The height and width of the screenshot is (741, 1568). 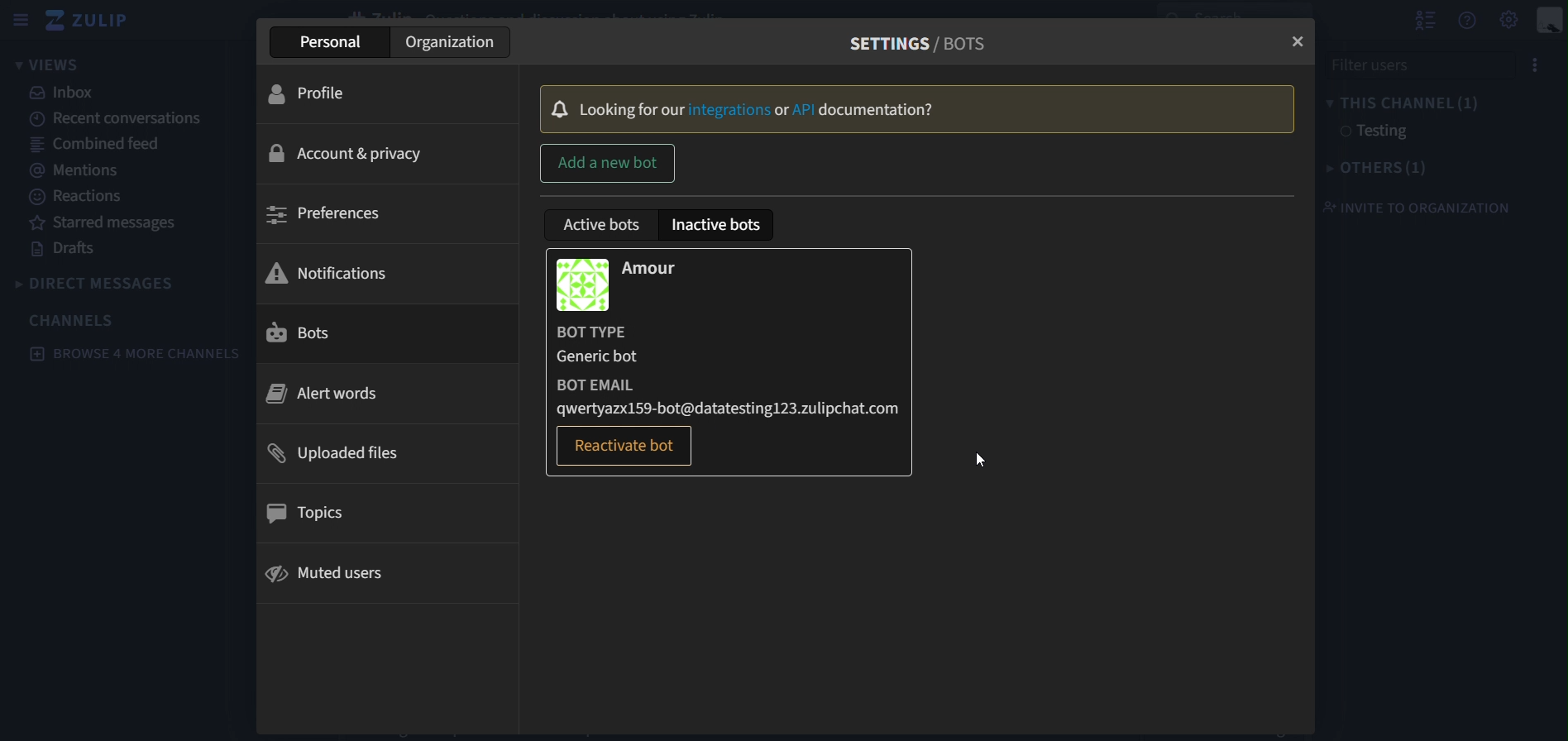 What do you see at coordinates (734, 407) in the screenshot?
I see `qwertyazx159-bot@datatesting123.zulipchat.com` at bounding box center [734, 407].